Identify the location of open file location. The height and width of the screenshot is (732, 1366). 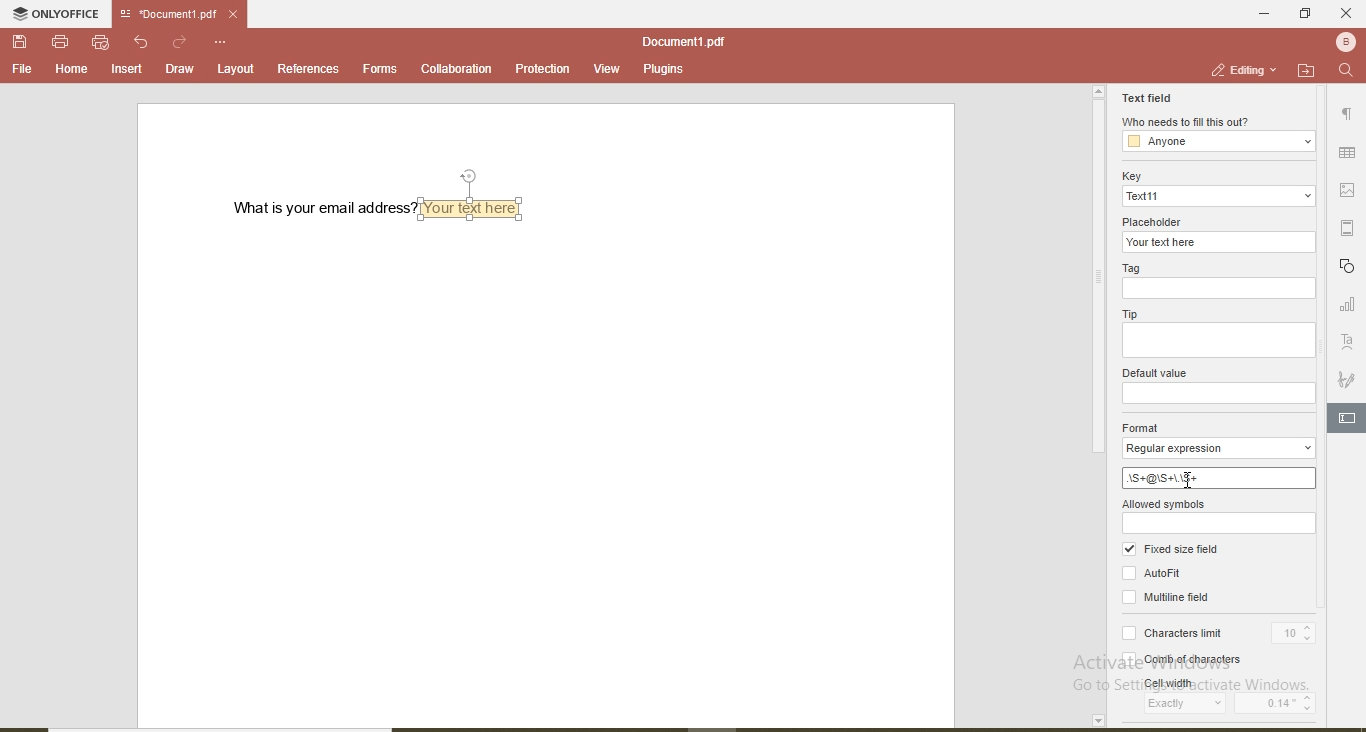
(1306, 70).